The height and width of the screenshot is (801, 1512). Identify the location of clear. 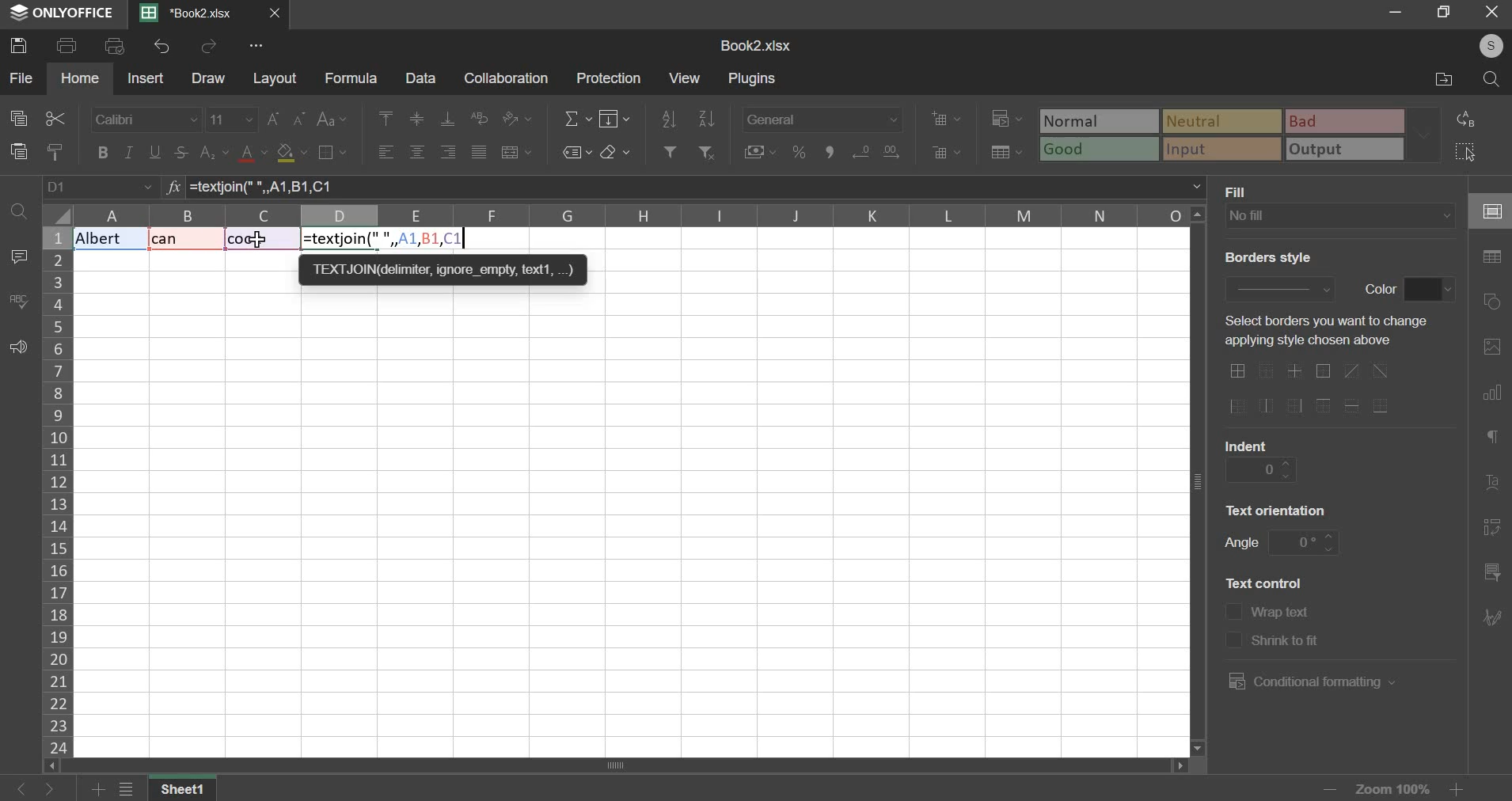
(615, 152).